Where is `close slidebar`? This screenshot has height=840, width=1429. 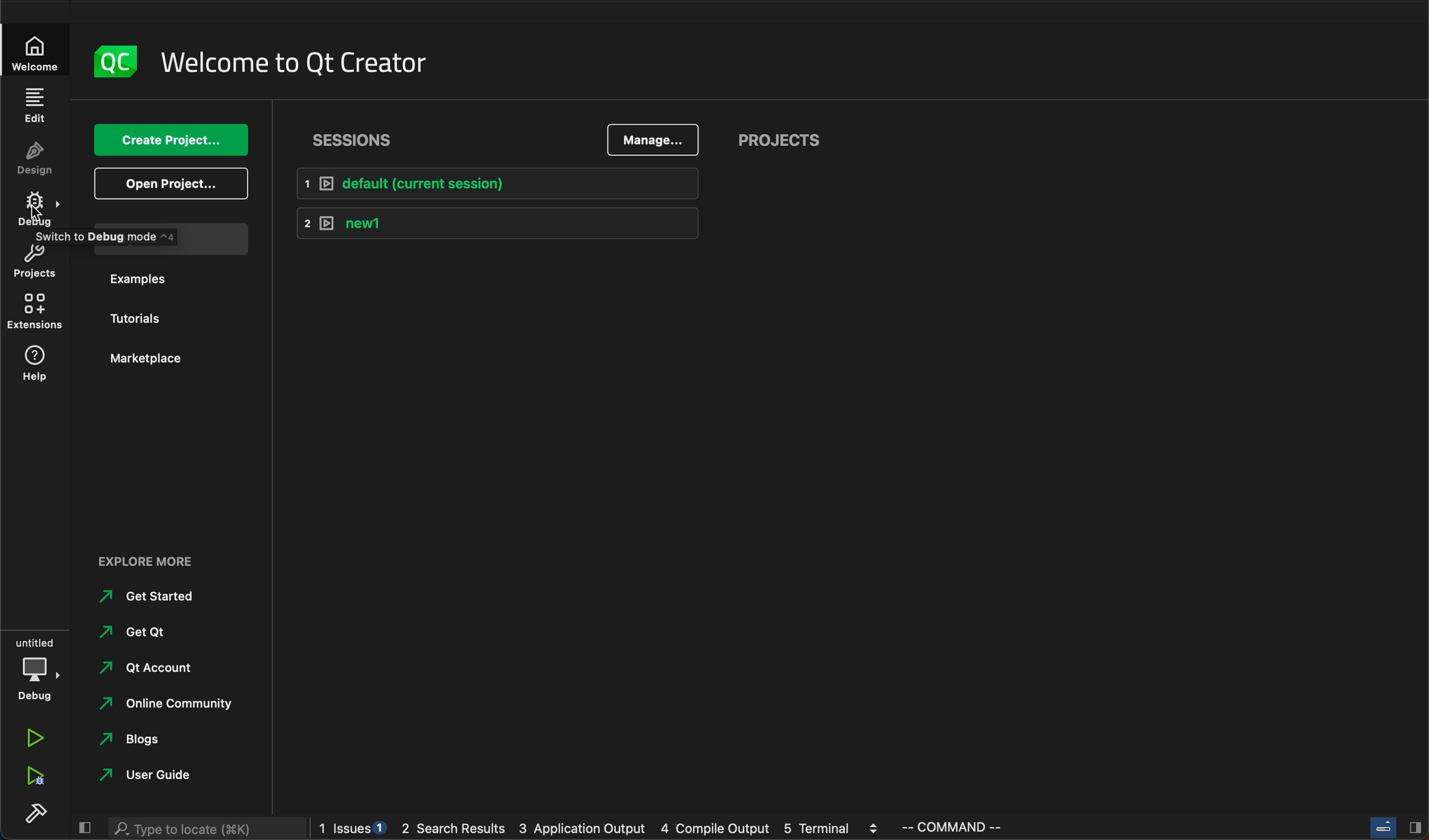
close slidebar is located at coordinates (1397, 826).